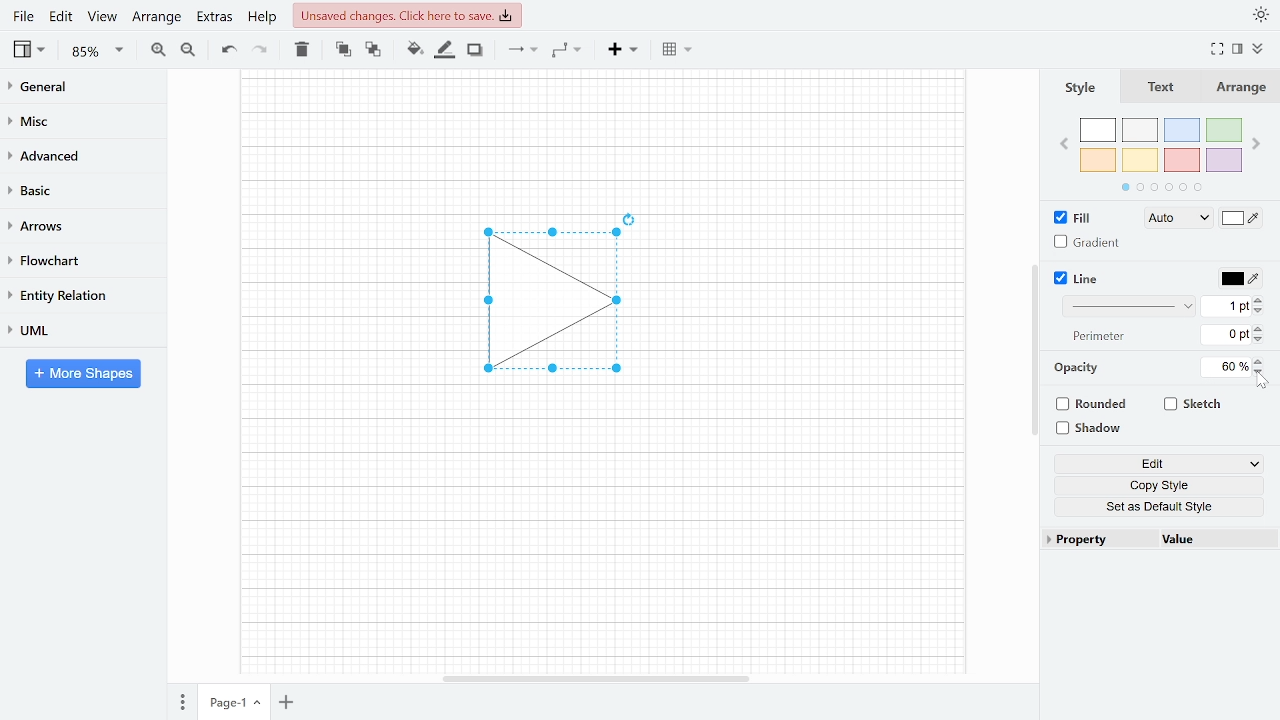  I want to click on Arrange, so click(156, 16).